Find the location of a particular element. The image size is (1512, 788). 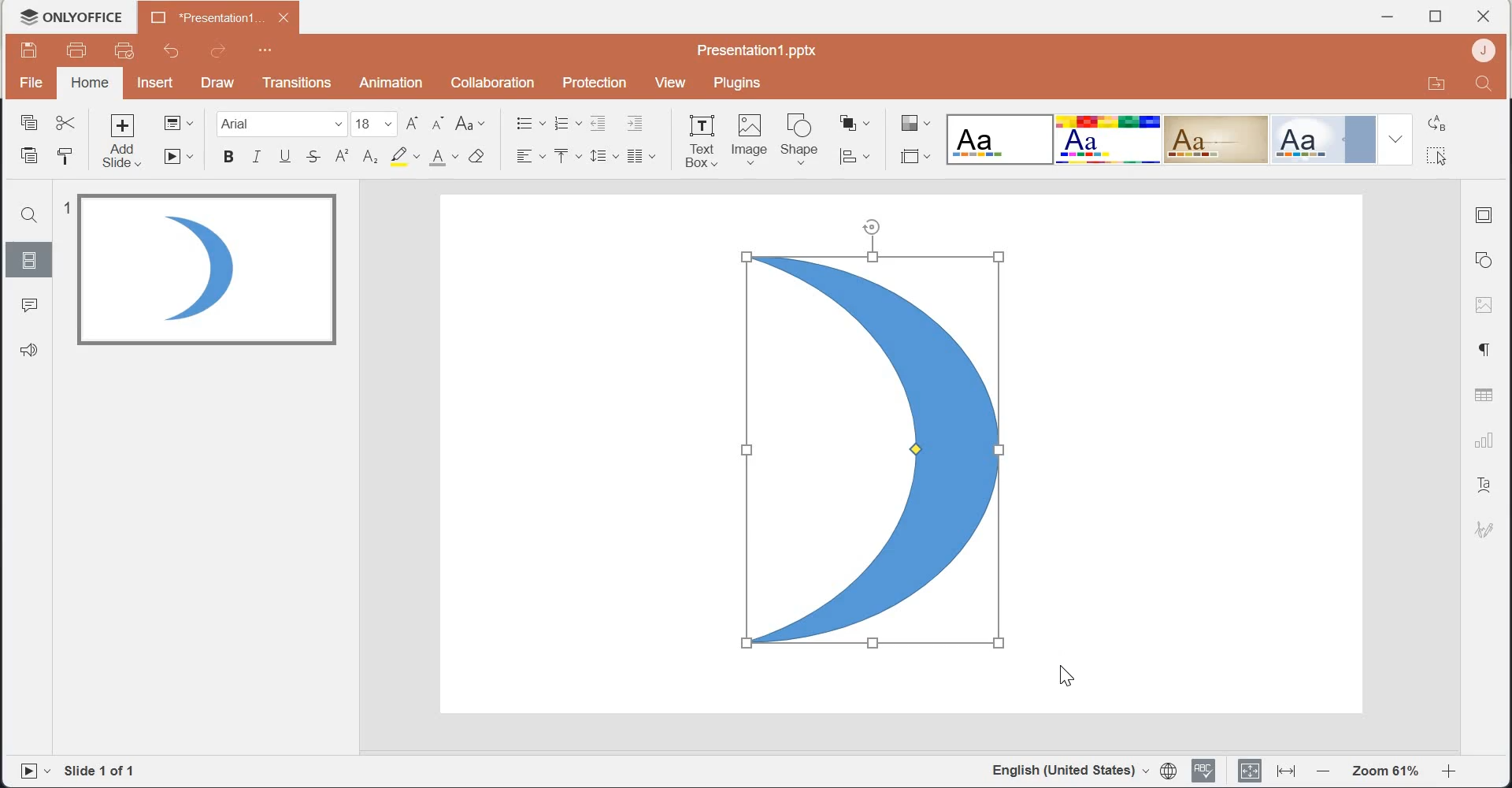

Superscript is located at coordinates (340, 157).